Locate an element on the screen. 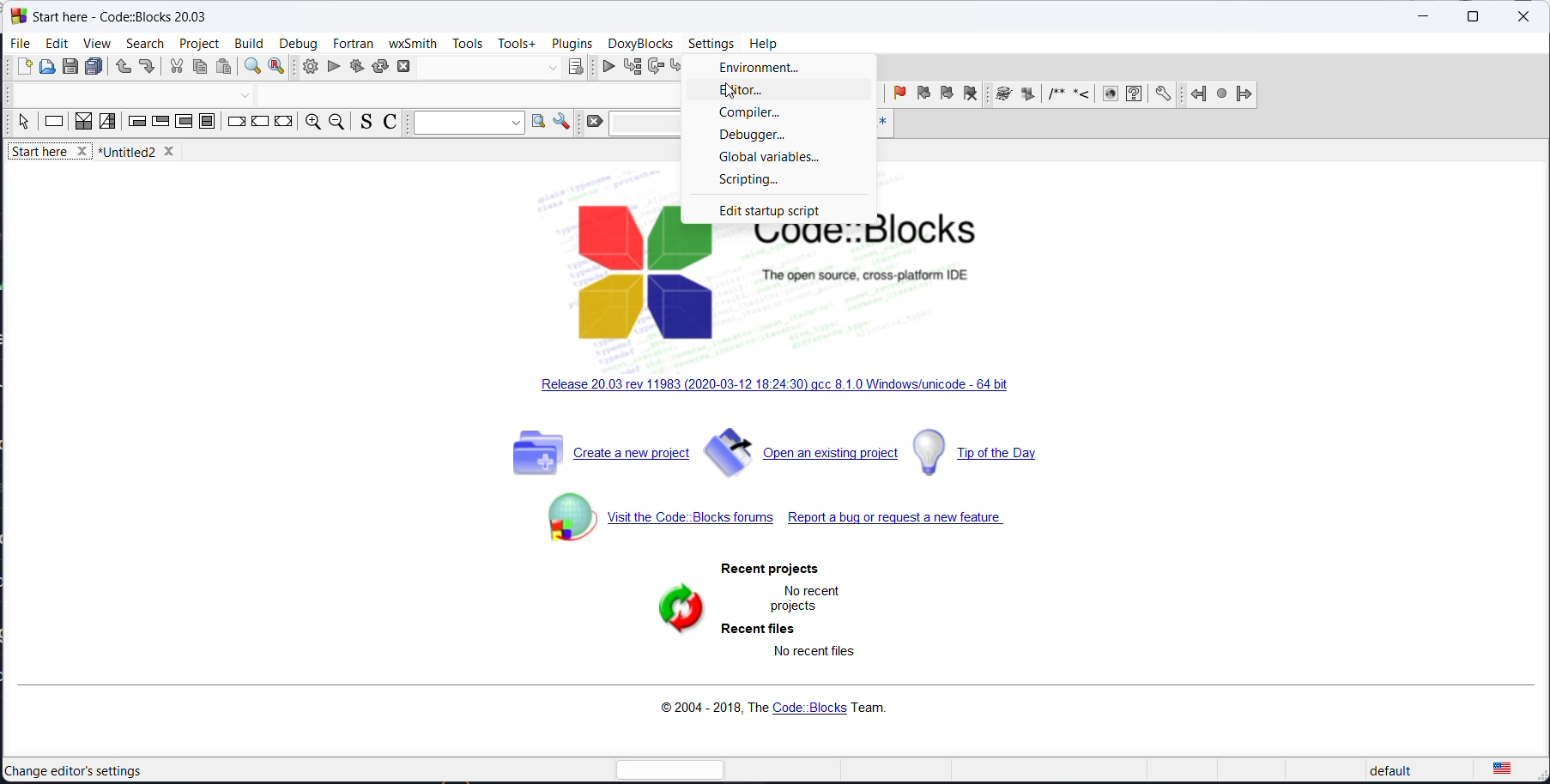 The image size is (1550, 784). setting is located at coordinates (1164, 94).